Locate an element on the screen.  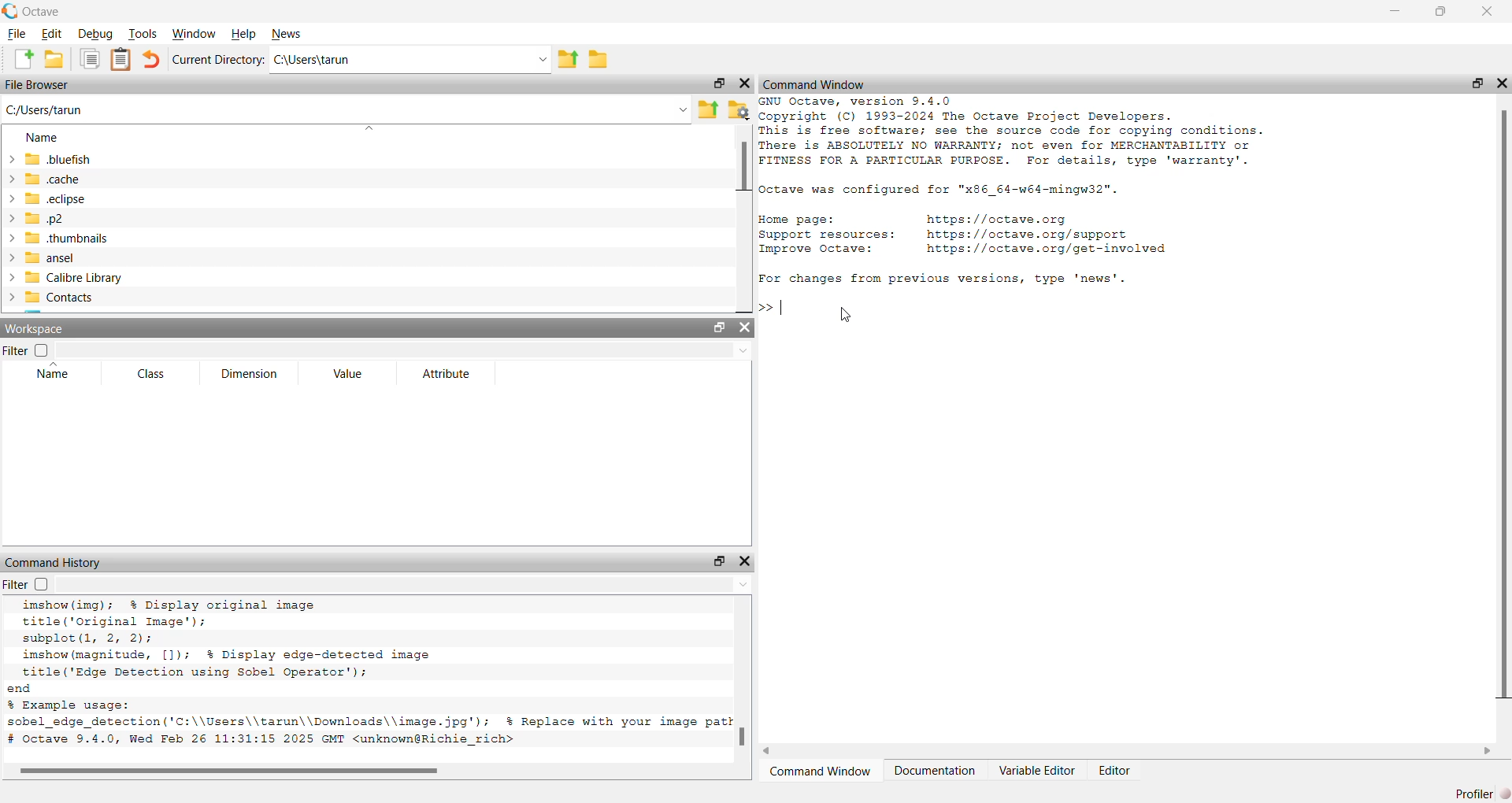
undo is located at coordinates (150, 60).